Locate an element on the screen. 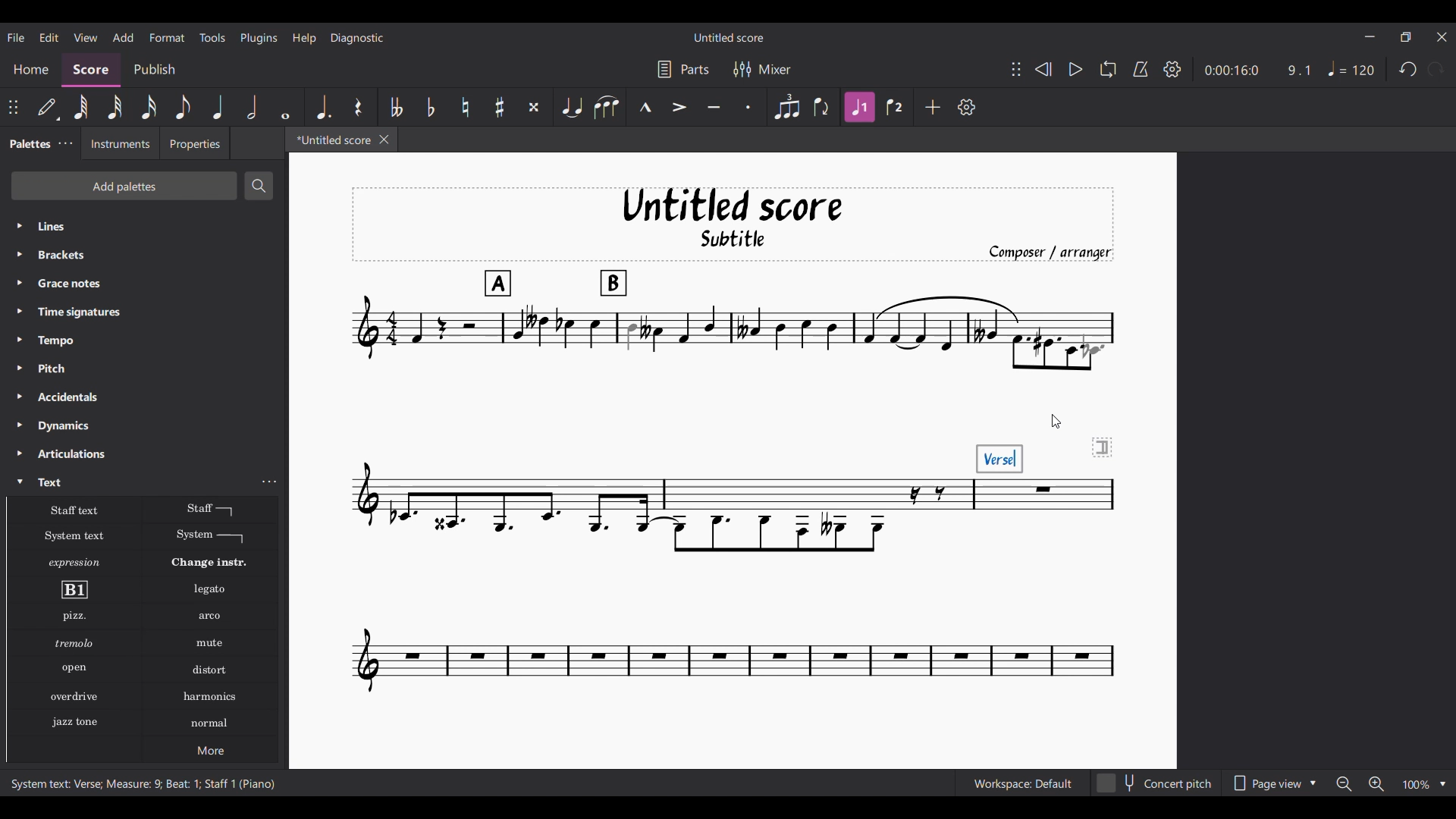 This screenshot has width=1456, height=819. Grace notes is located at coordinates (144, 283).